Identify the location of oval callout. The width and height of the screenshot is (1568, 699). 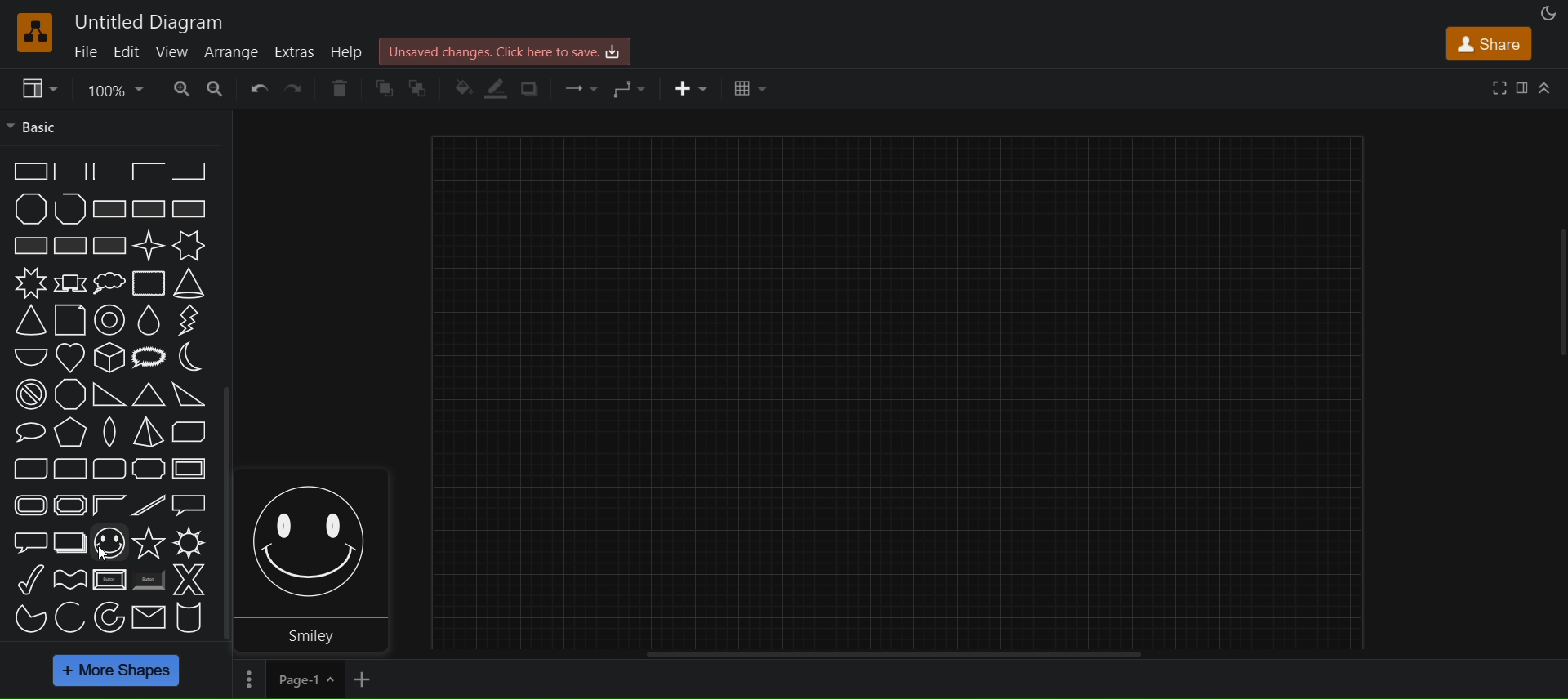
(29, 431).